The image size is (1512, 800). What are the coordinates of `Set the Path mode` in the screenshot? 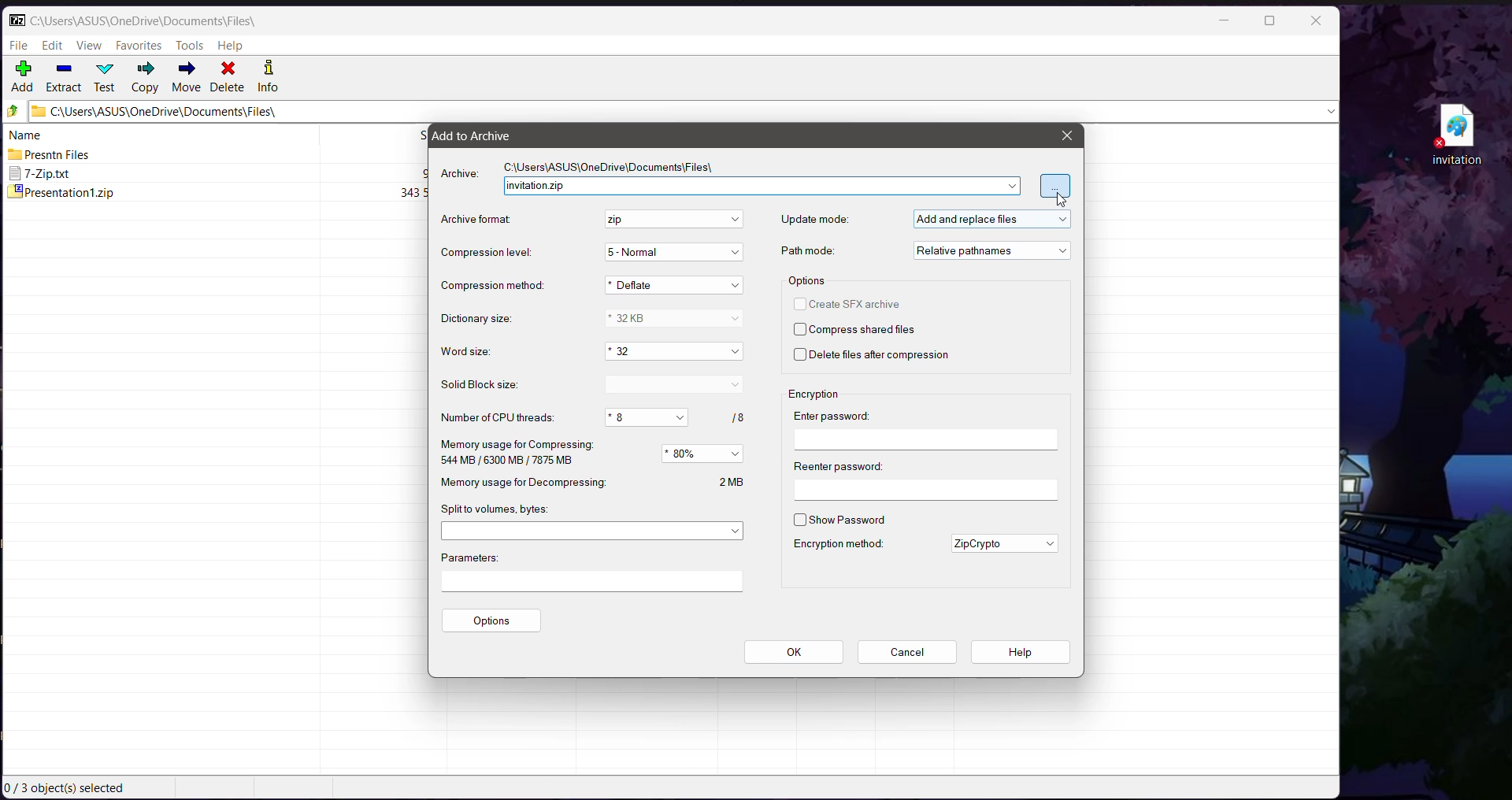 It's located at (989, 250).